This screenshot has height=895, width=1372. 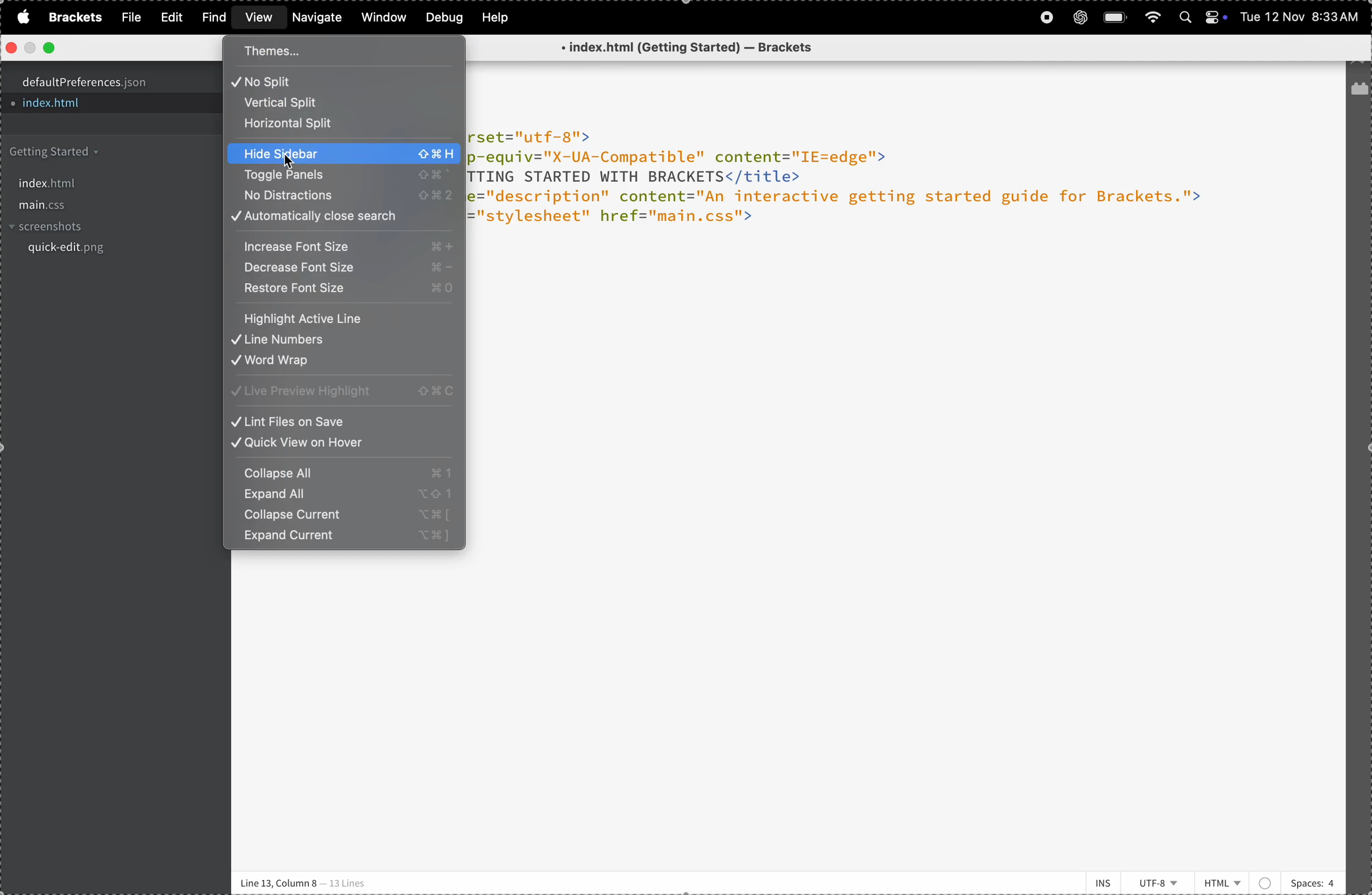 I want to click on maximize, so click(x=50, y=48).